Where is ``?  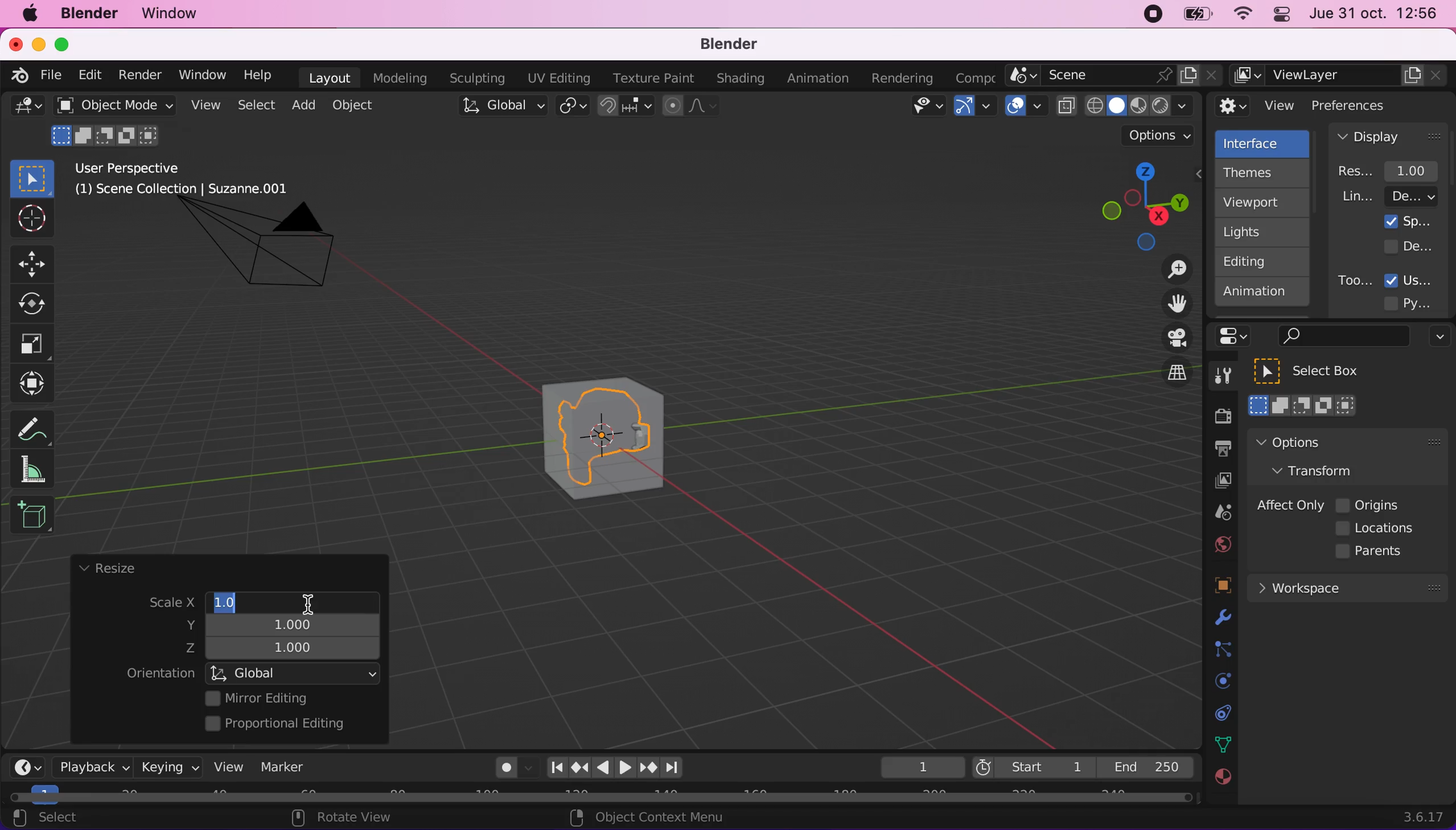
 is located at coordinates (38, 304).